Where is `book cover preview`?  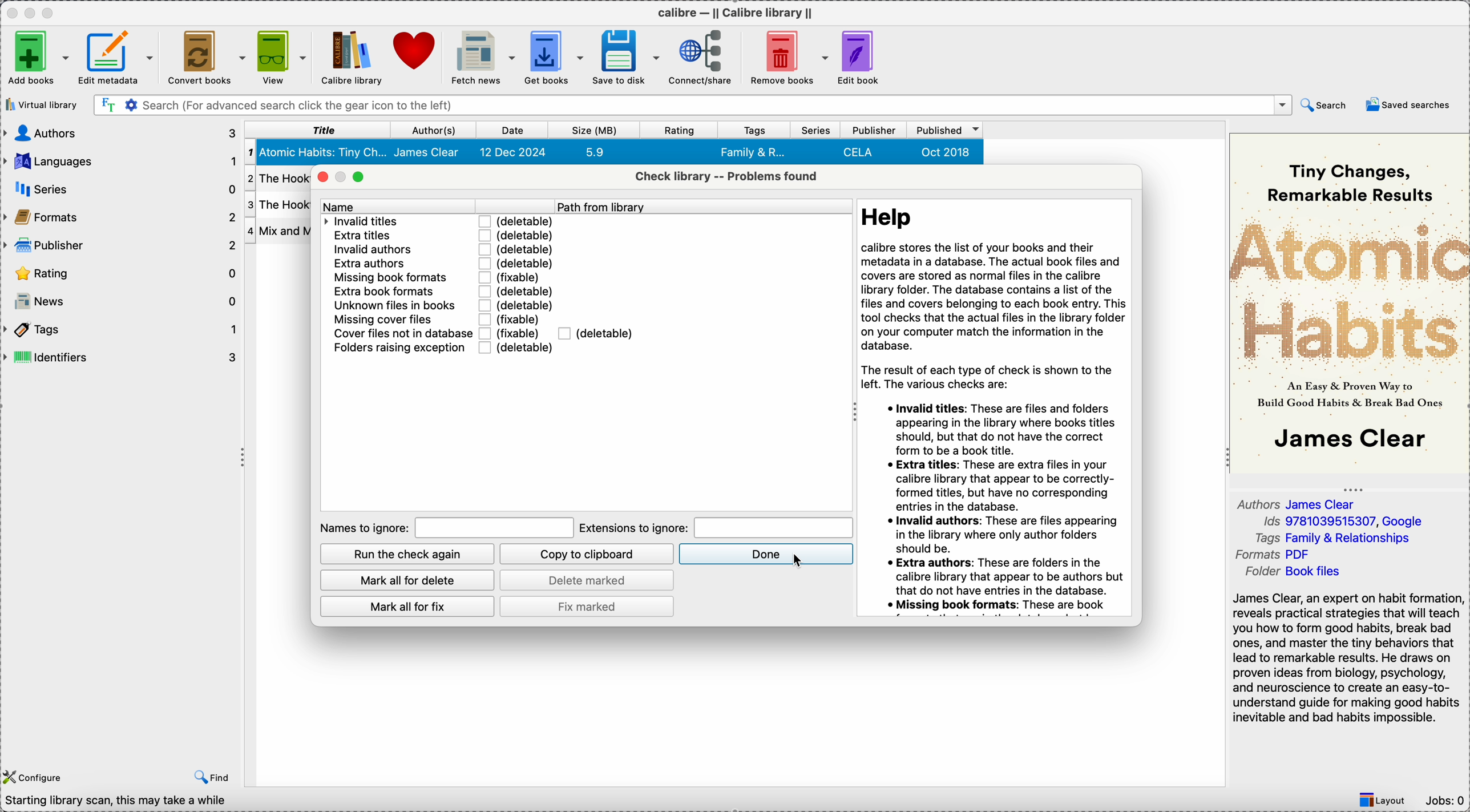 book cover preview is located at coordinates (1348, 302).